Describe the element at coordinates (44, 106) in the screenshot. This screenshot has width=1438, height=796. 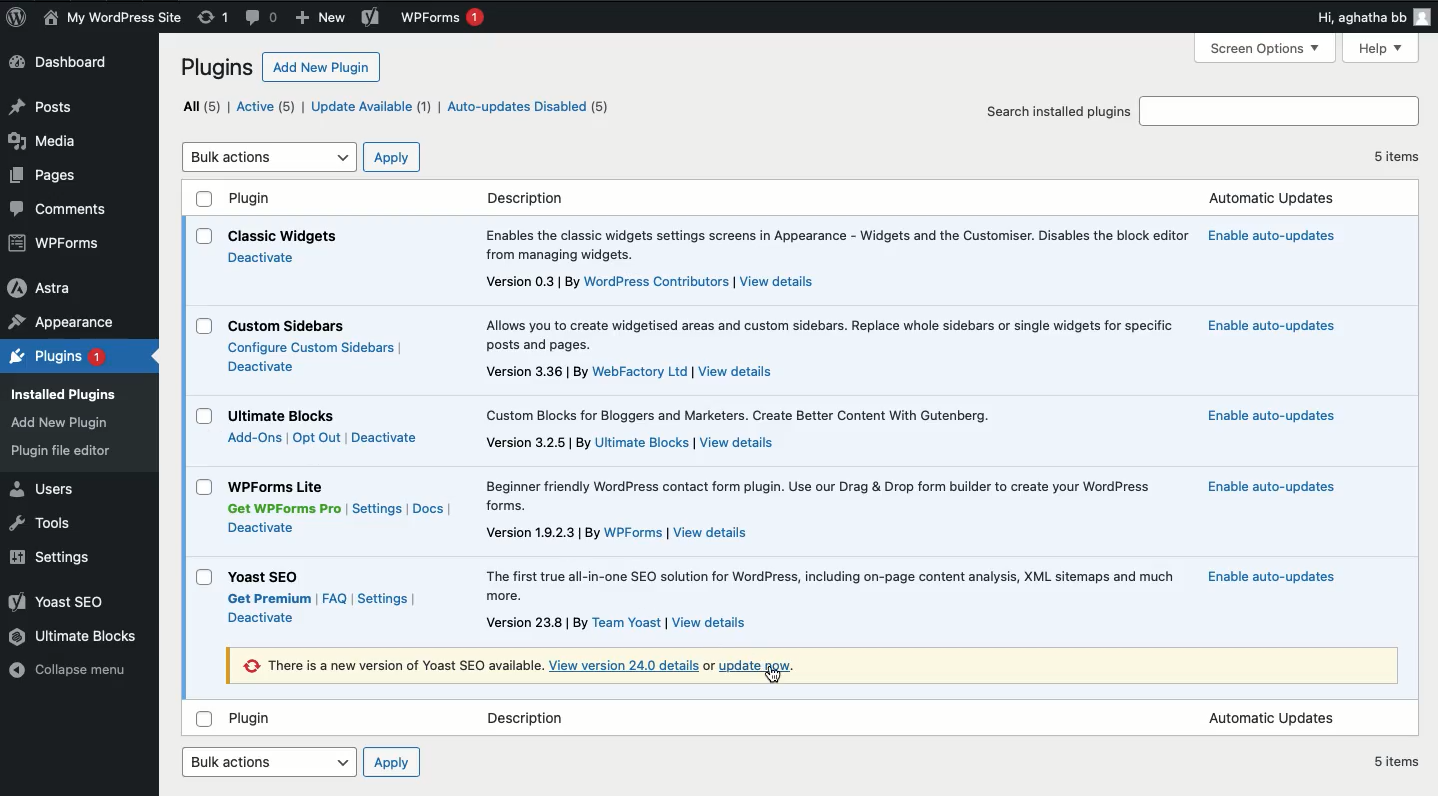
I see `Posts` at that location.